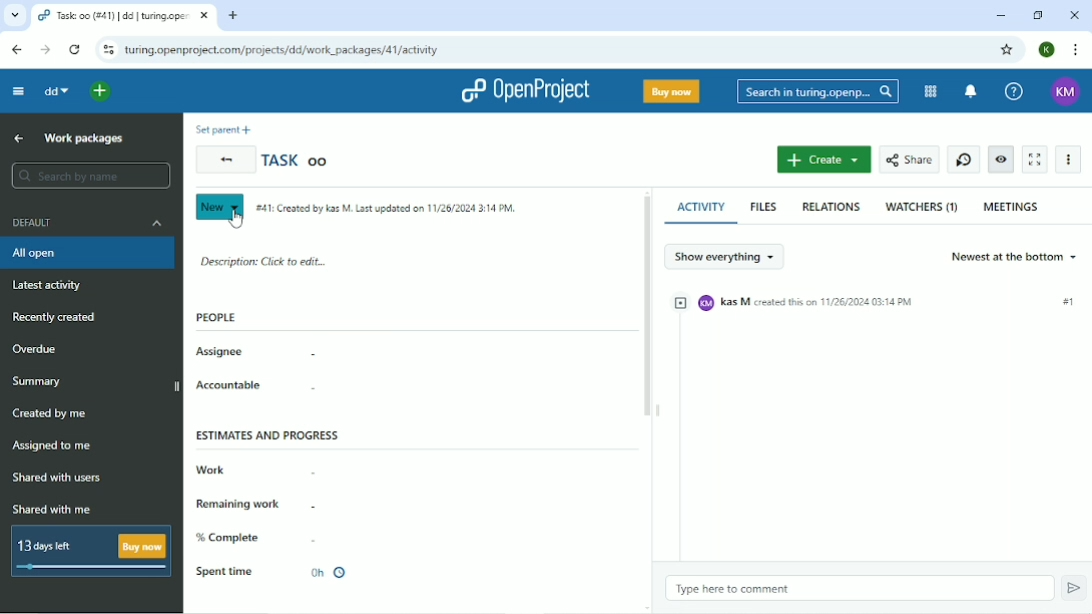 This screenshot has width=1092, height=614. I want to click on Start new timer, so click(964, 159).